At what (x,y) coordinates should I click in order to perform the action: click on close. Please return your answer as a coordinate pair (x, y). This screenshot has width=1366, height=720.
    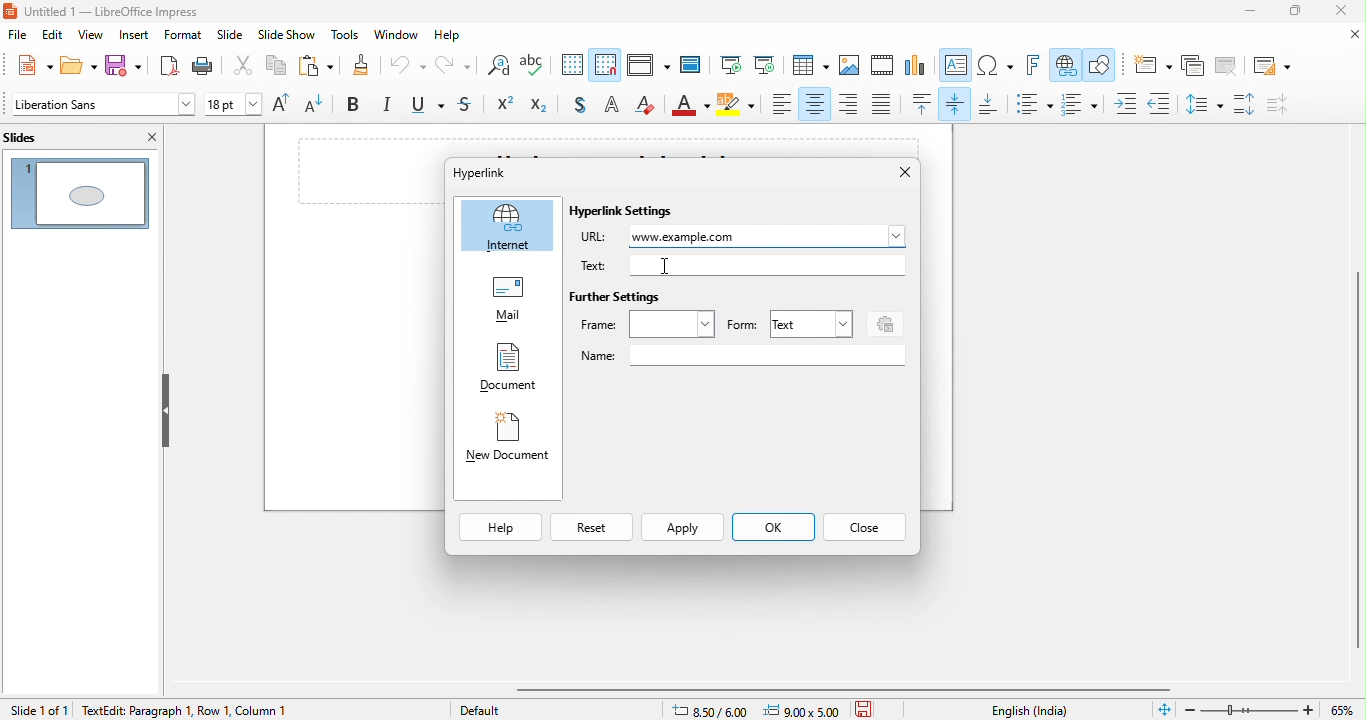
    Looking at the image, I should click on (148, 137).